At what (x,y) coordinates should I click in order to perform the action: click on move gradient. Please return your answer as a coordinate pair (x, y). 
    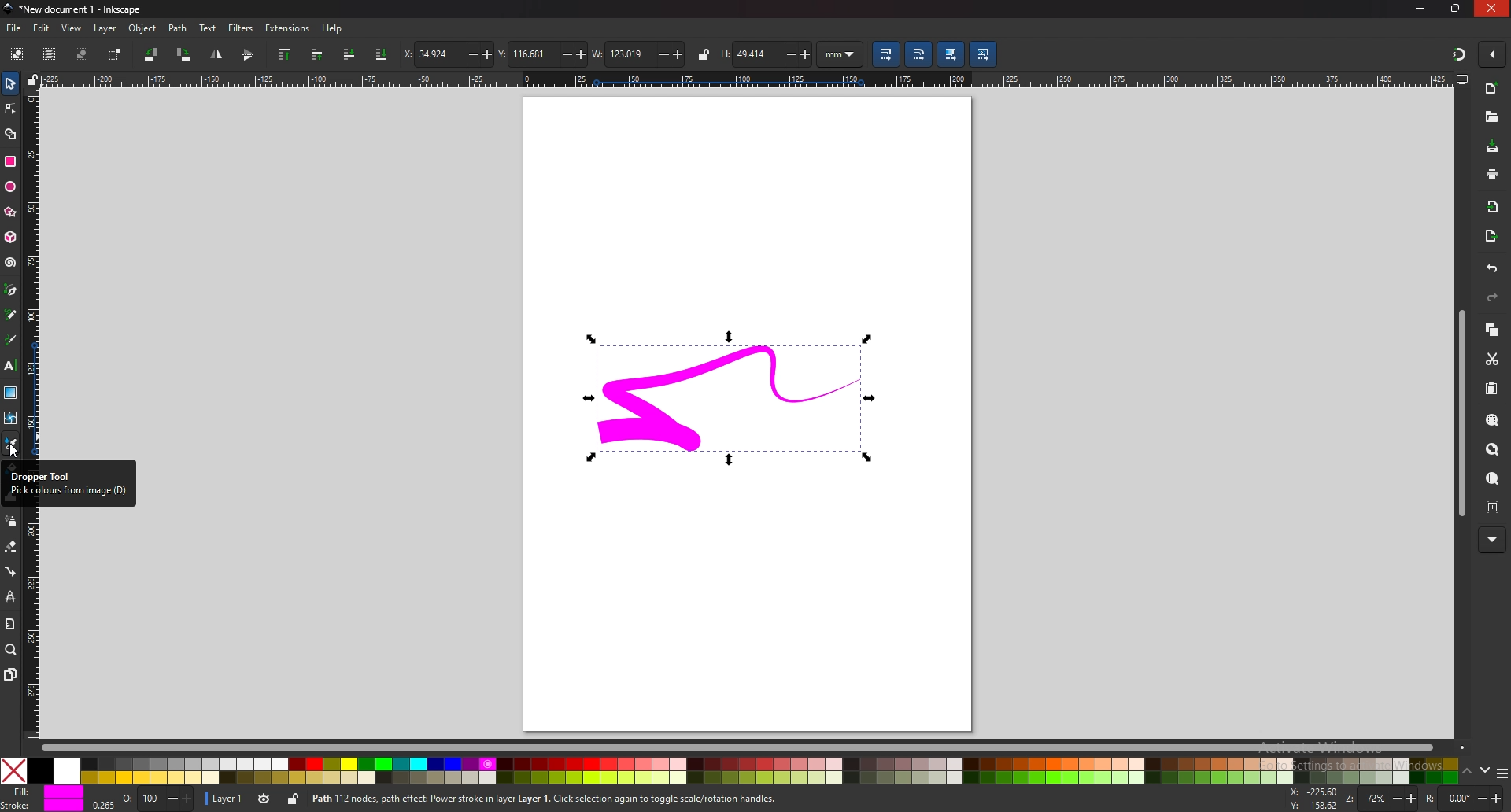
    Looking at the image, I should click on (951, 54).